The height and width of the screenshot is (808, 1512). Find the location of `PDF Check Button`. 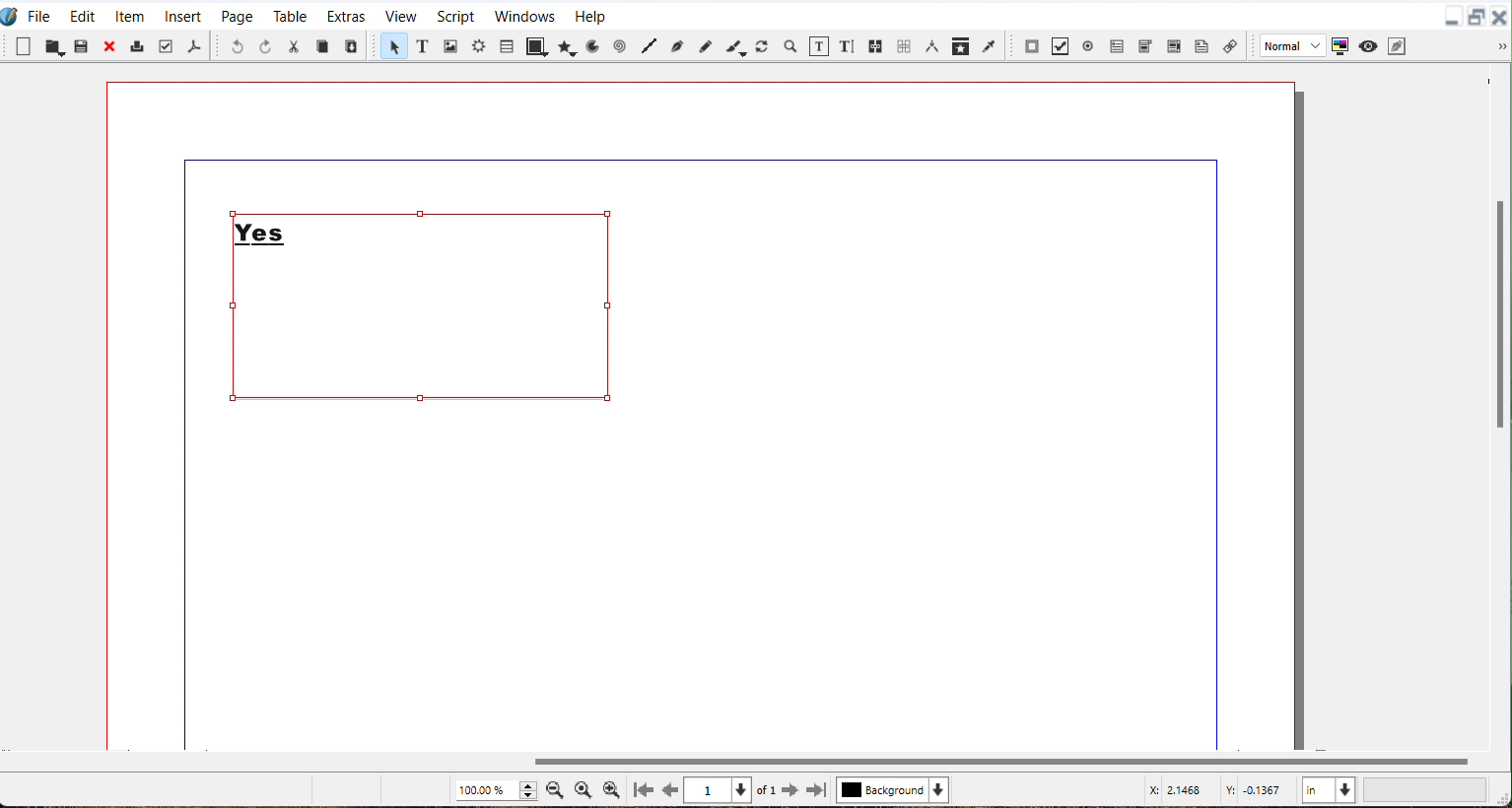

PDF Check Button is located at coordinates (1063, 45).